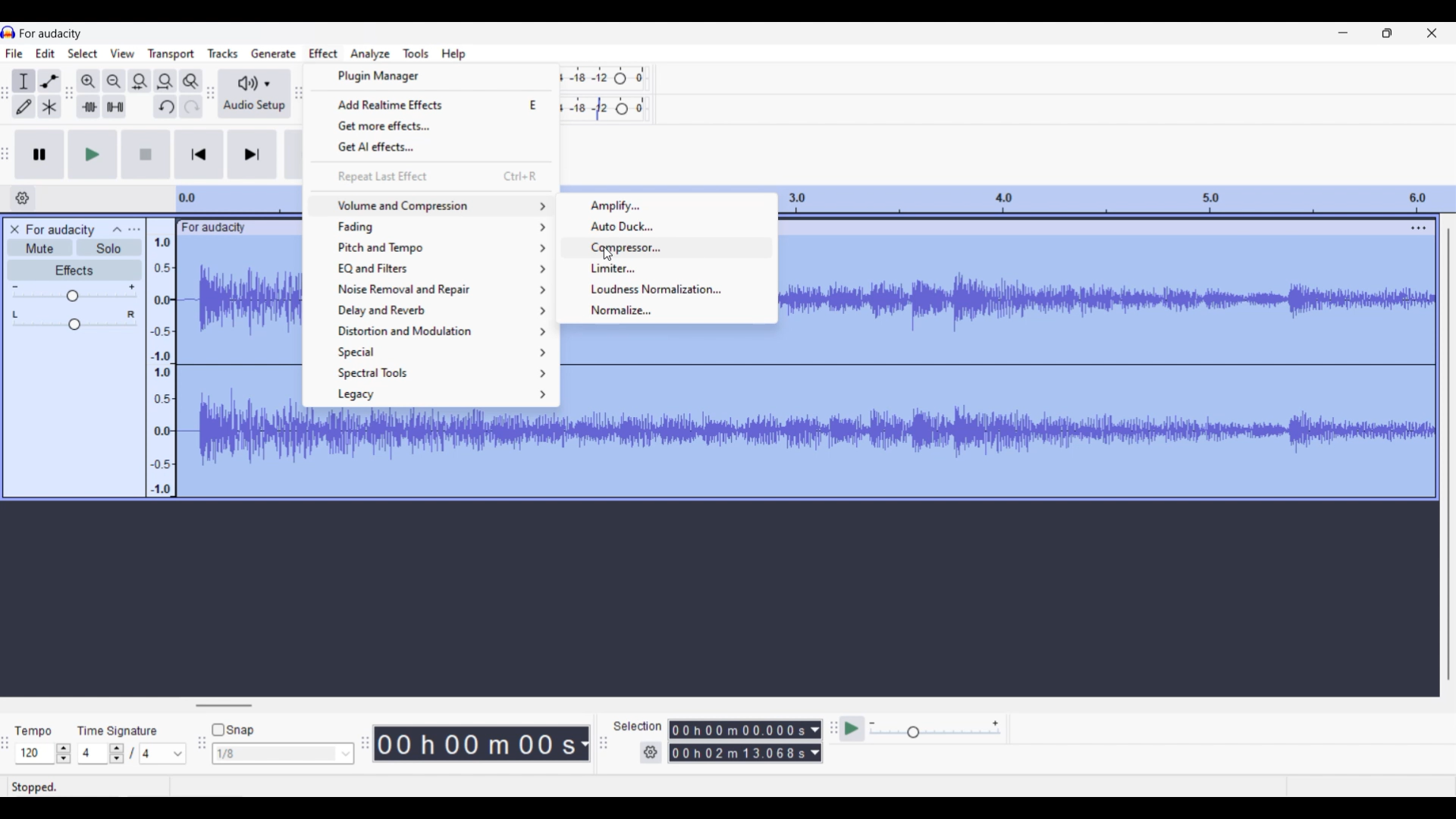  Describe the element at coordinates (934, 730) in the screenshot. I see `Playback speed scale` at that location.